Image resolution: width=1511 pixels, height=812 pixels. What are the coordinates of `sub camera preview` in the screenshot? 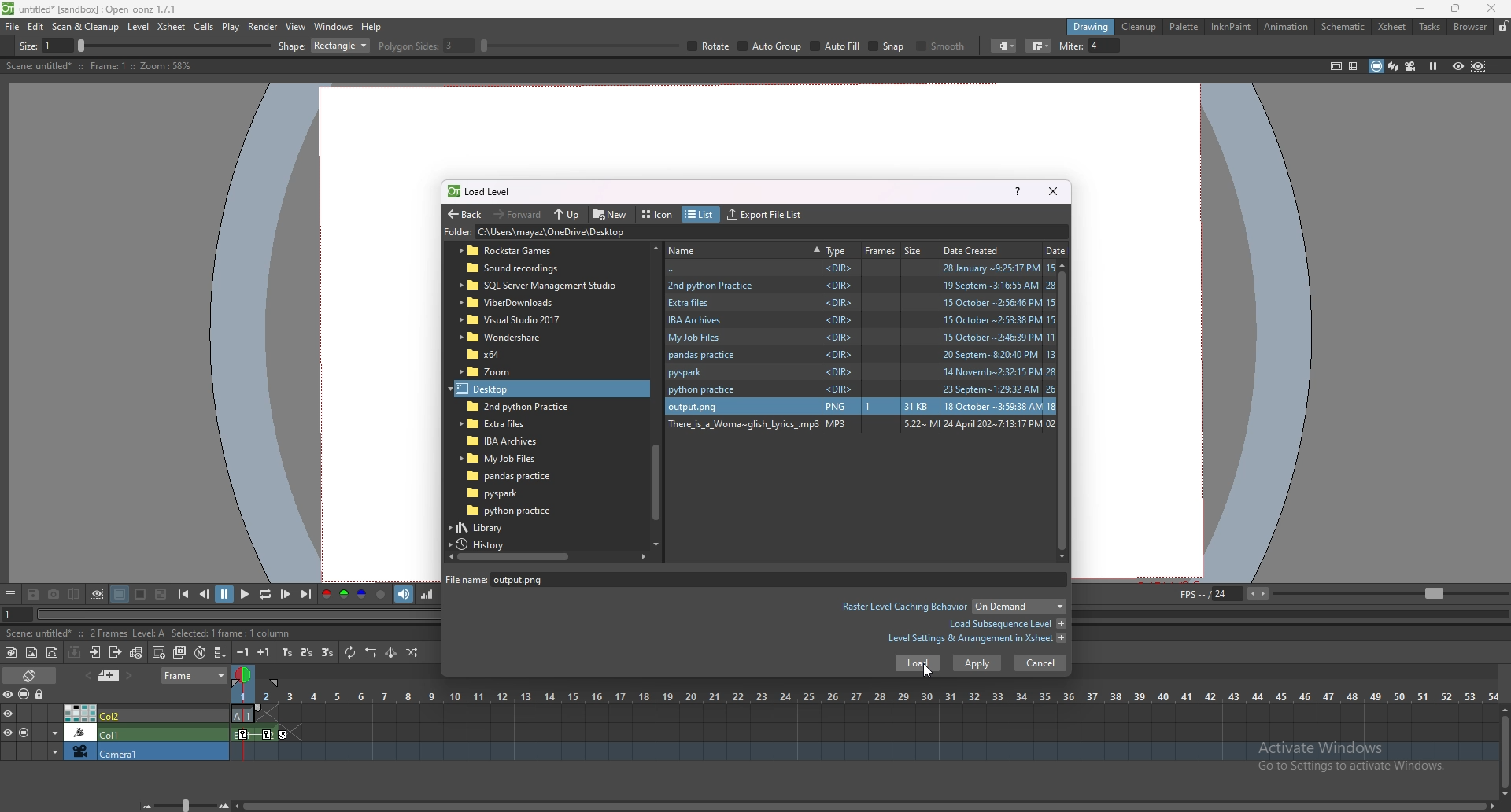 It's located at (1479, 65).